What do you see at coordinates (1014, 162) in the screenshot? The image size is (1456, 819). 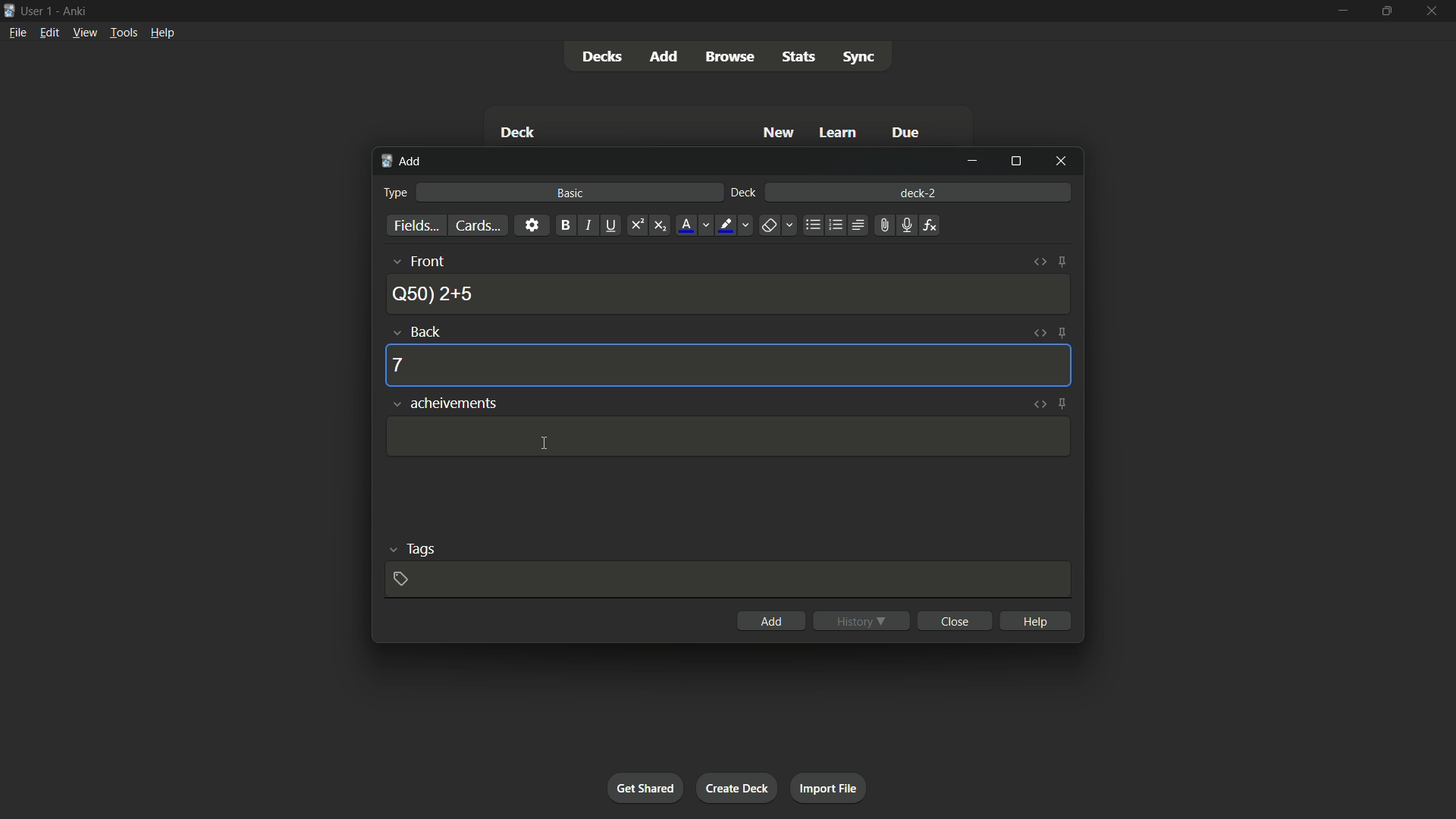 I see `maximize` at bounding box center [1014, 162].